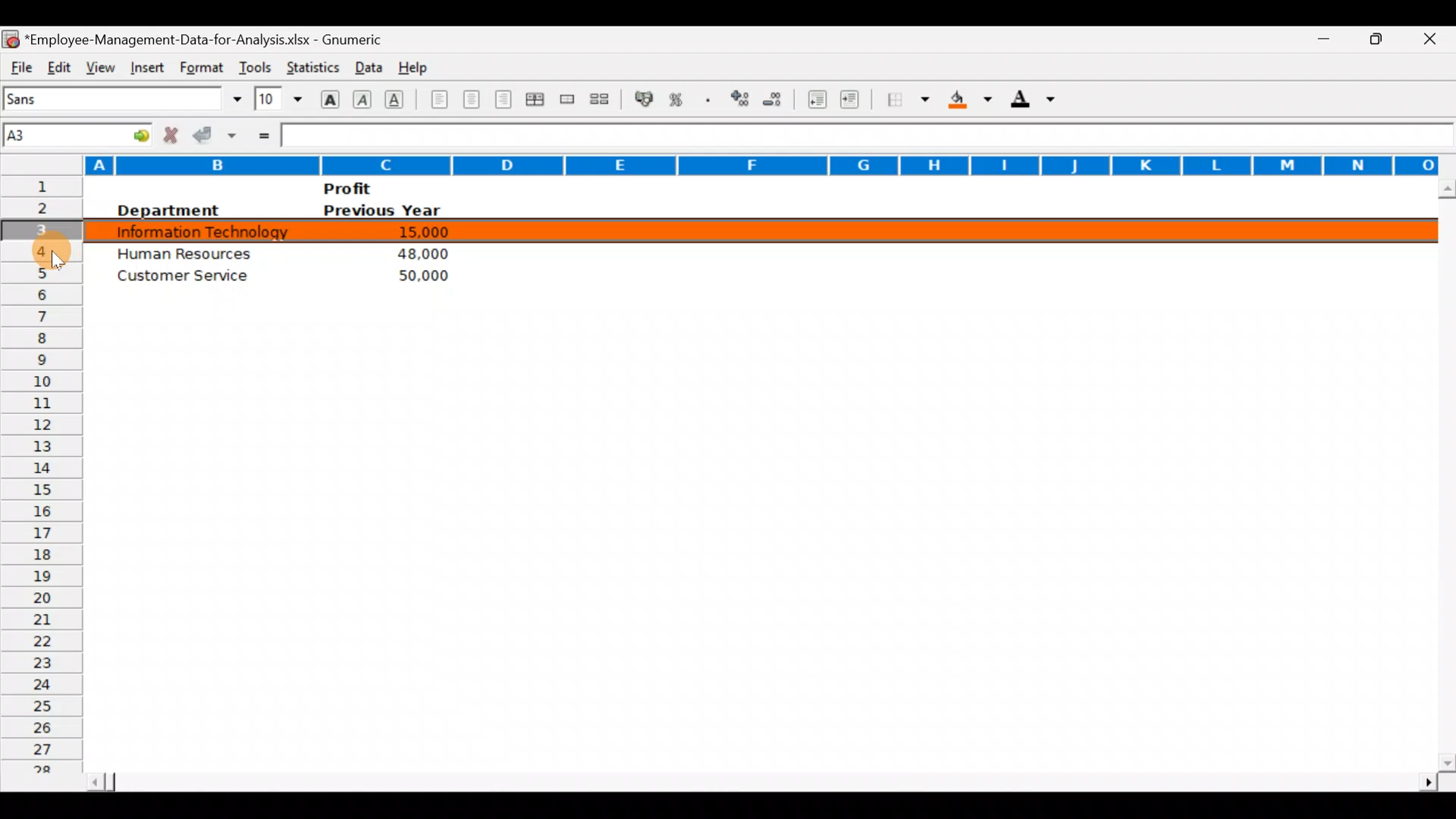 This screenshot has width=1456, height=819. What do you see at coordinates (681, 99) in the screenshot?
I see `Format selection as percentage` at bounding box center [681, 99].